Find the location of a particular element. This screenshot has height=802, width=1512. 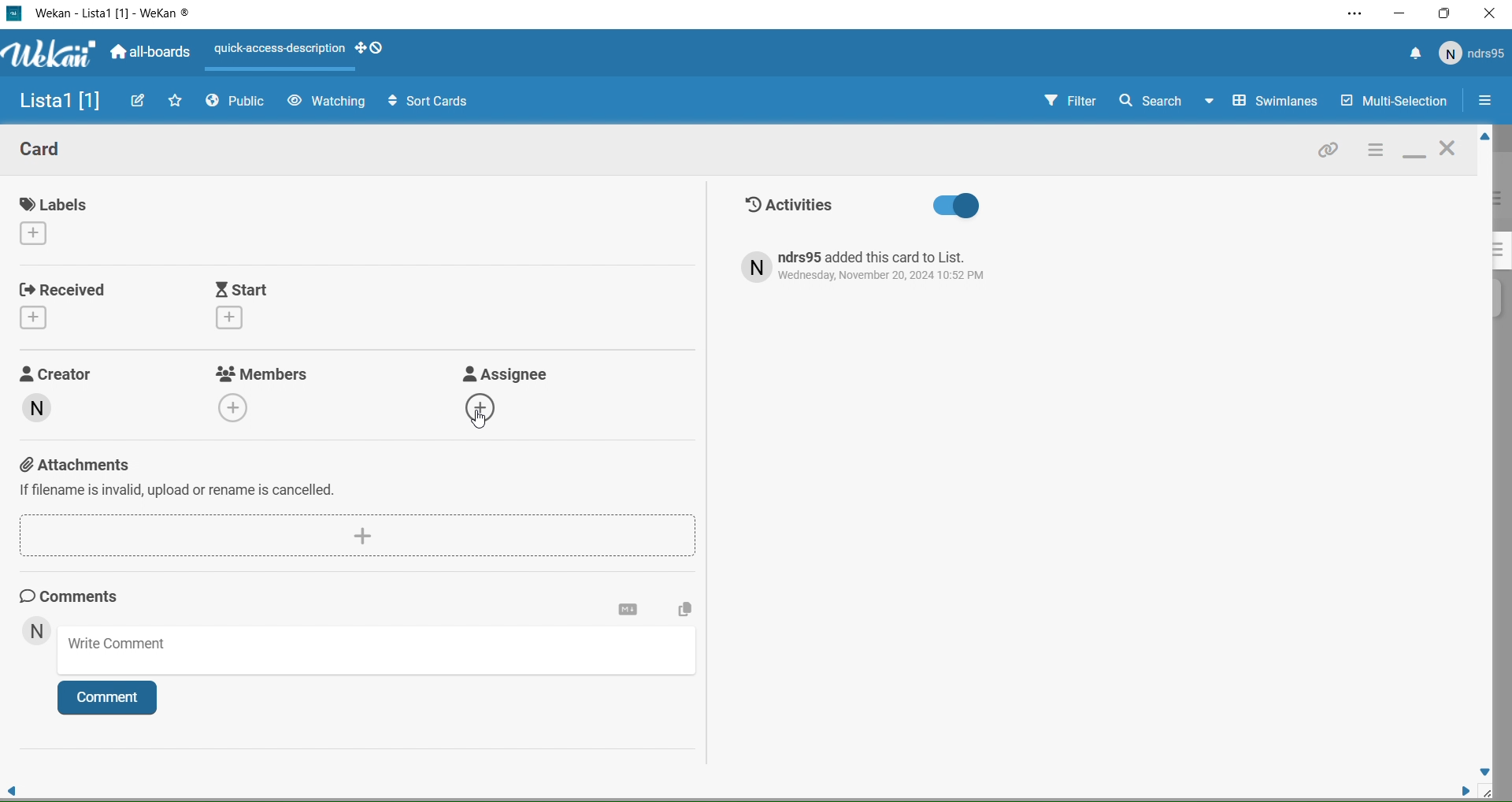

move right is located at coordinates (1458, 789).